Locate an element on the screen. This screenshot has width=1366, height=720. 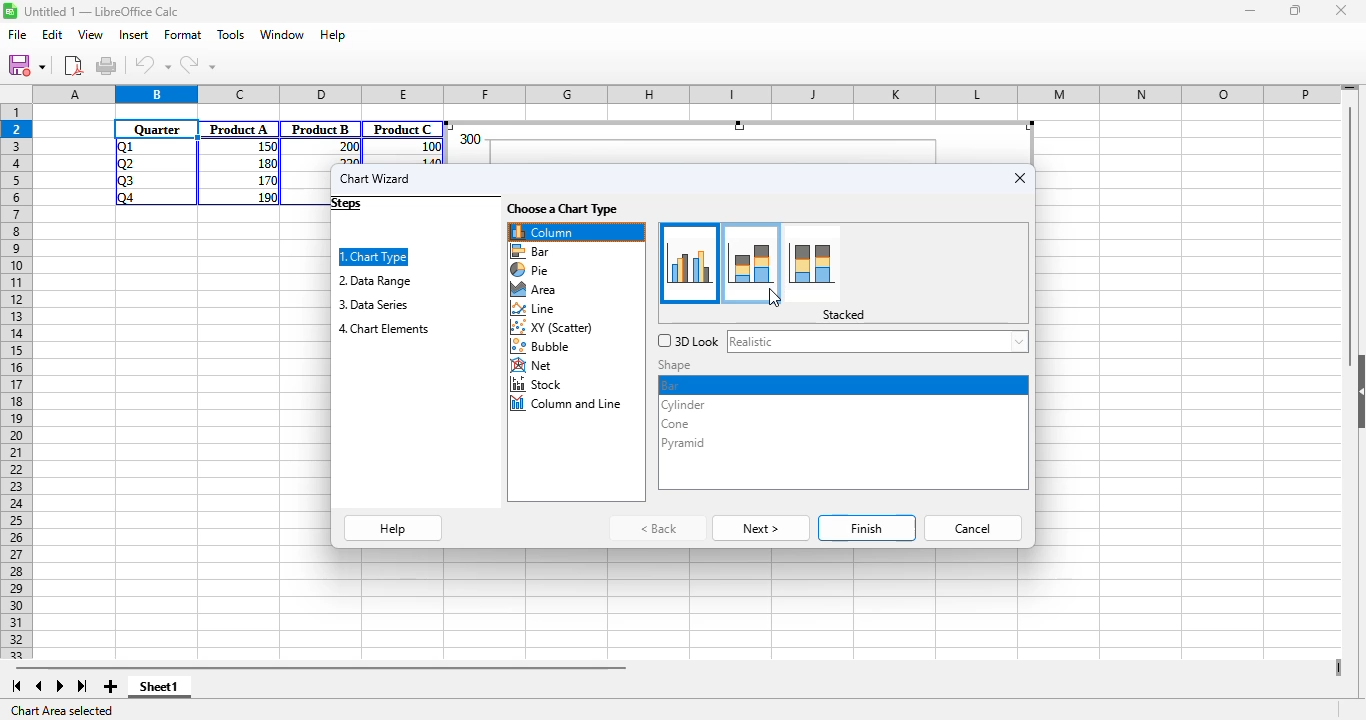
undo is located at coordinates (153, 65).